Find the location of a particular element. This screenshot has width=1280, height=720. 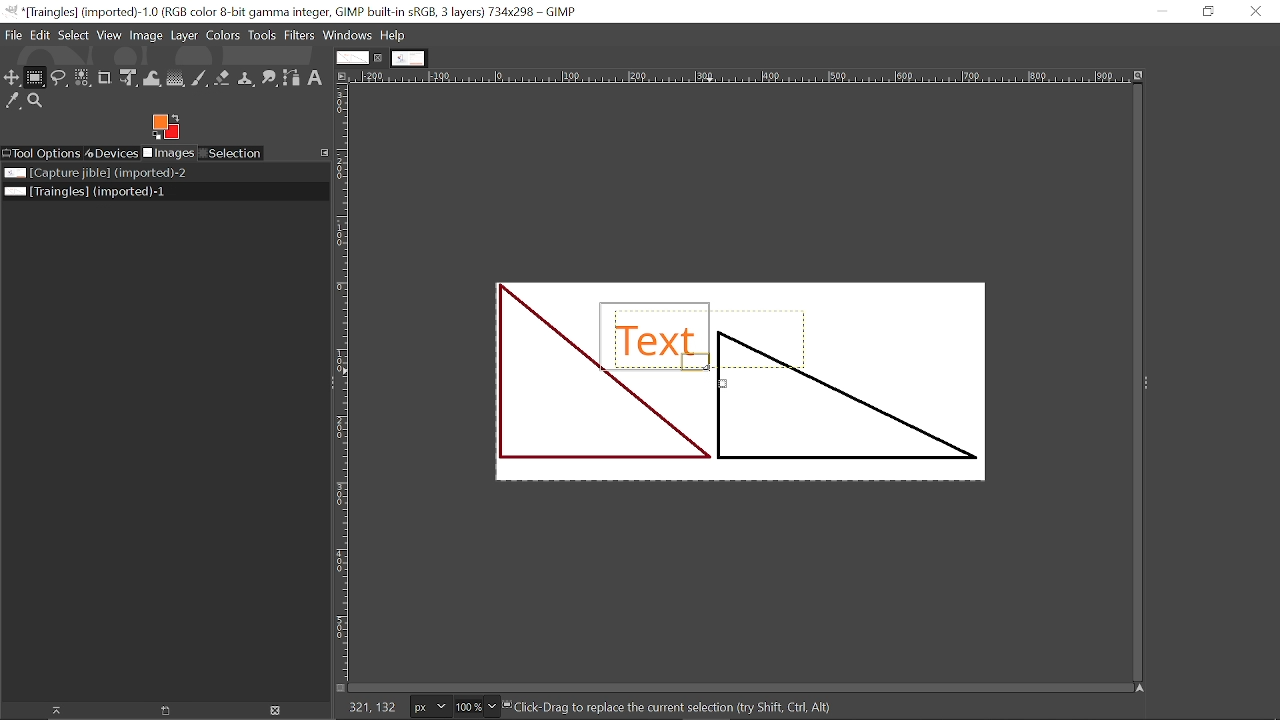

Help is located at coordinates (393, 35).